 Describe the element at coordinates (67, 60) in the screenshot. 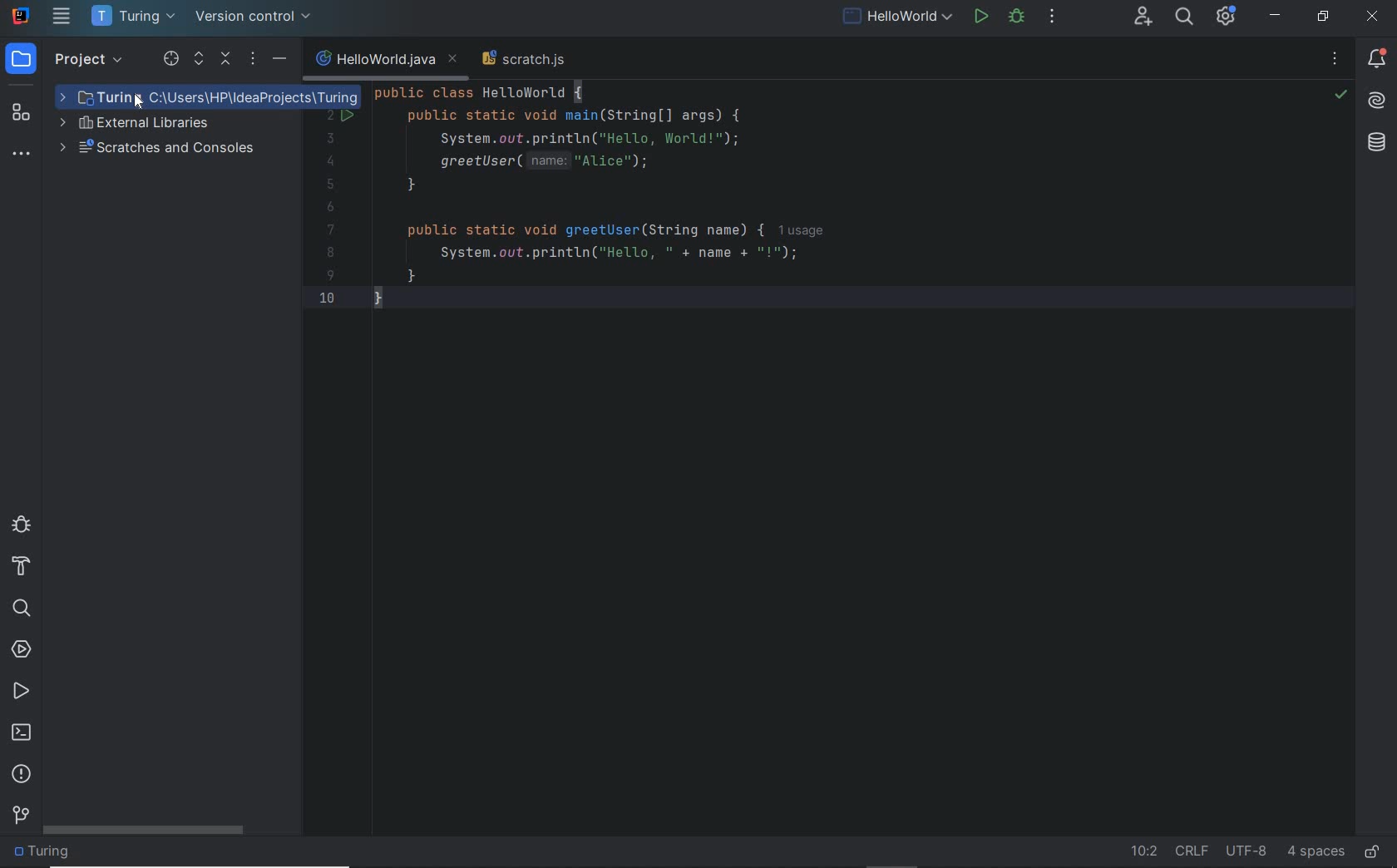

I see `project` at that location.